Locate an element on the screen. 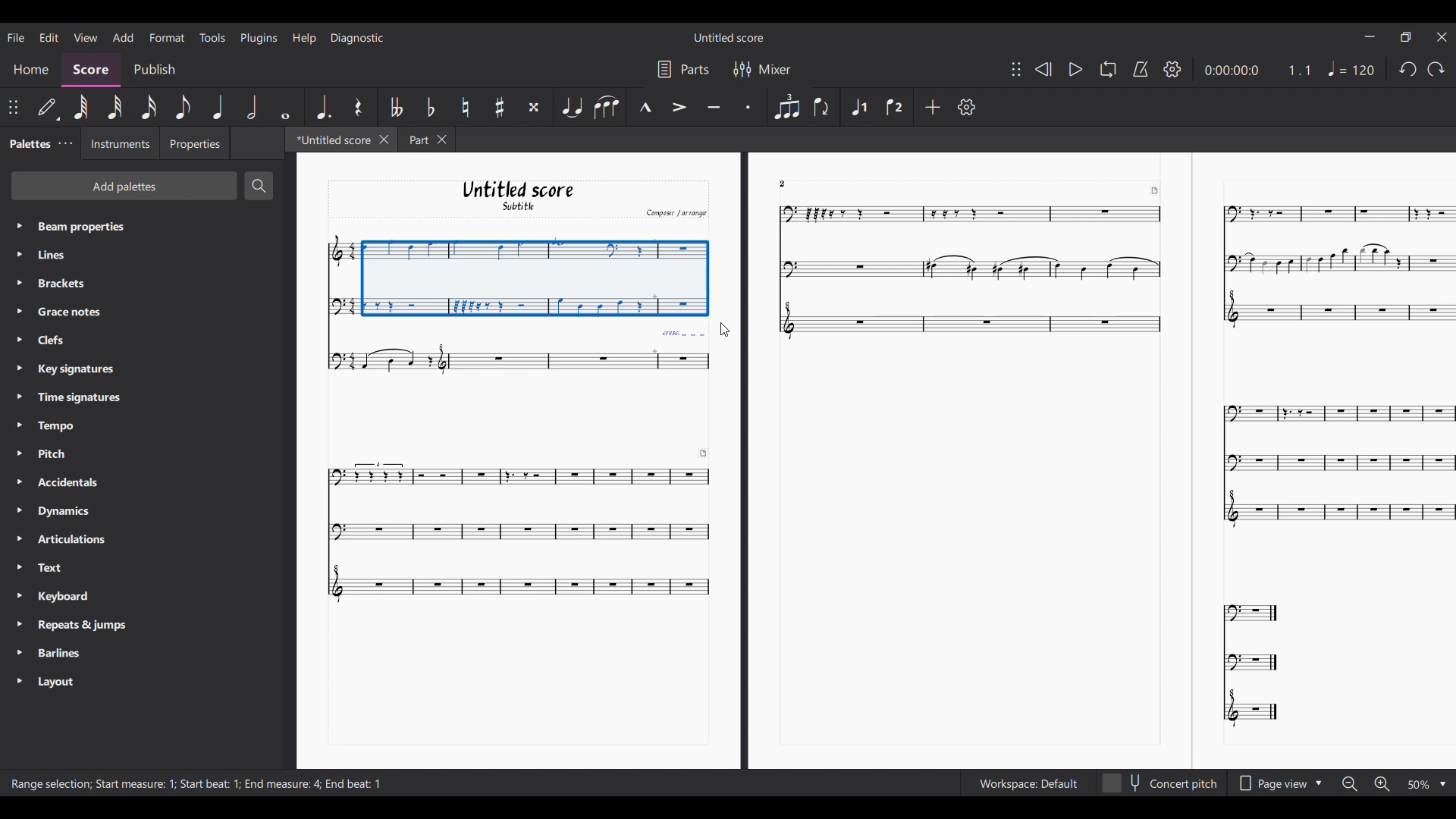  Tempo is located at coordinates (67, 424).